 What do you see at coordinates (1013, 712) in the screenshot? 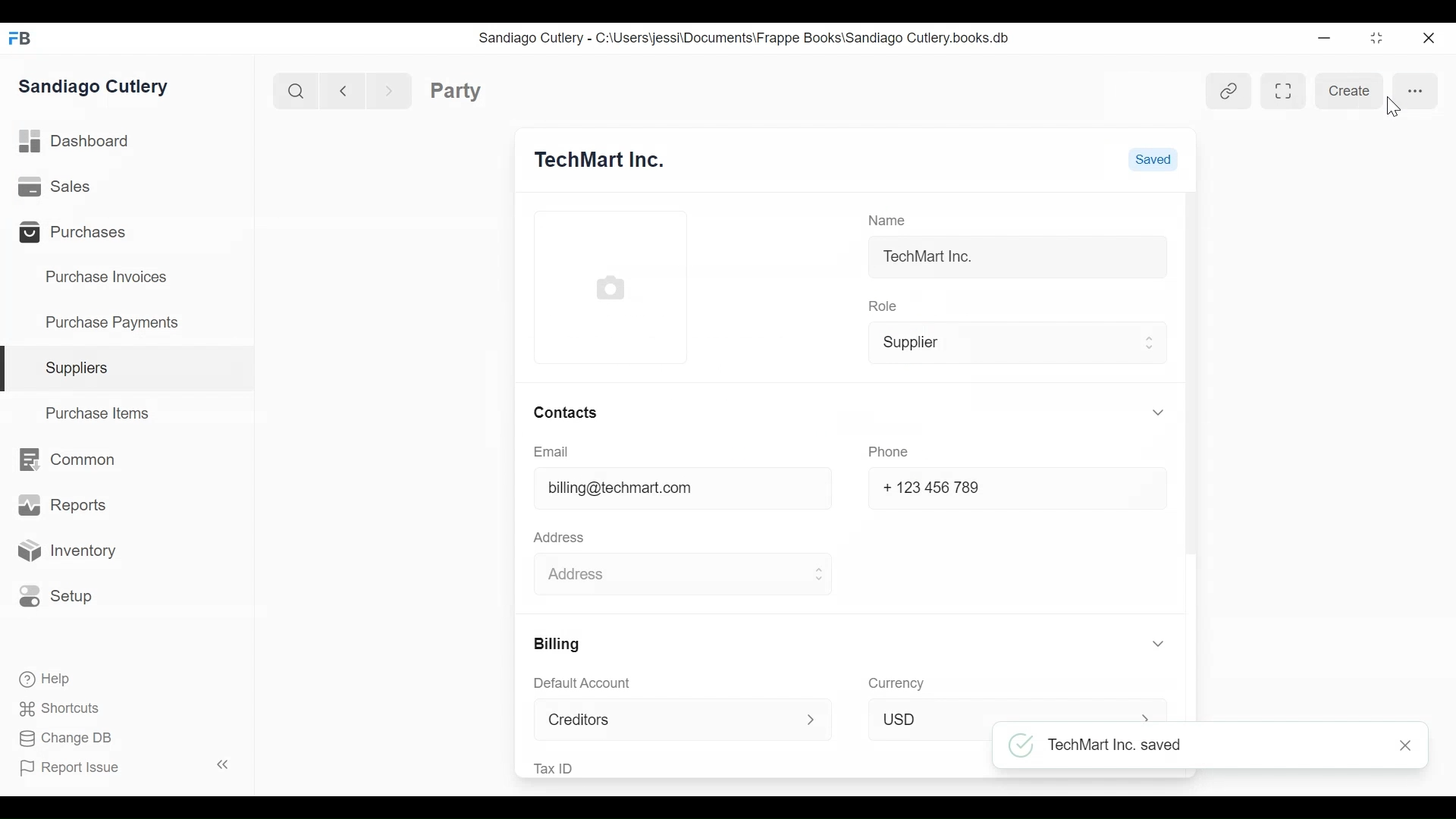
I see `USD` at bounding box center [1013, 712].